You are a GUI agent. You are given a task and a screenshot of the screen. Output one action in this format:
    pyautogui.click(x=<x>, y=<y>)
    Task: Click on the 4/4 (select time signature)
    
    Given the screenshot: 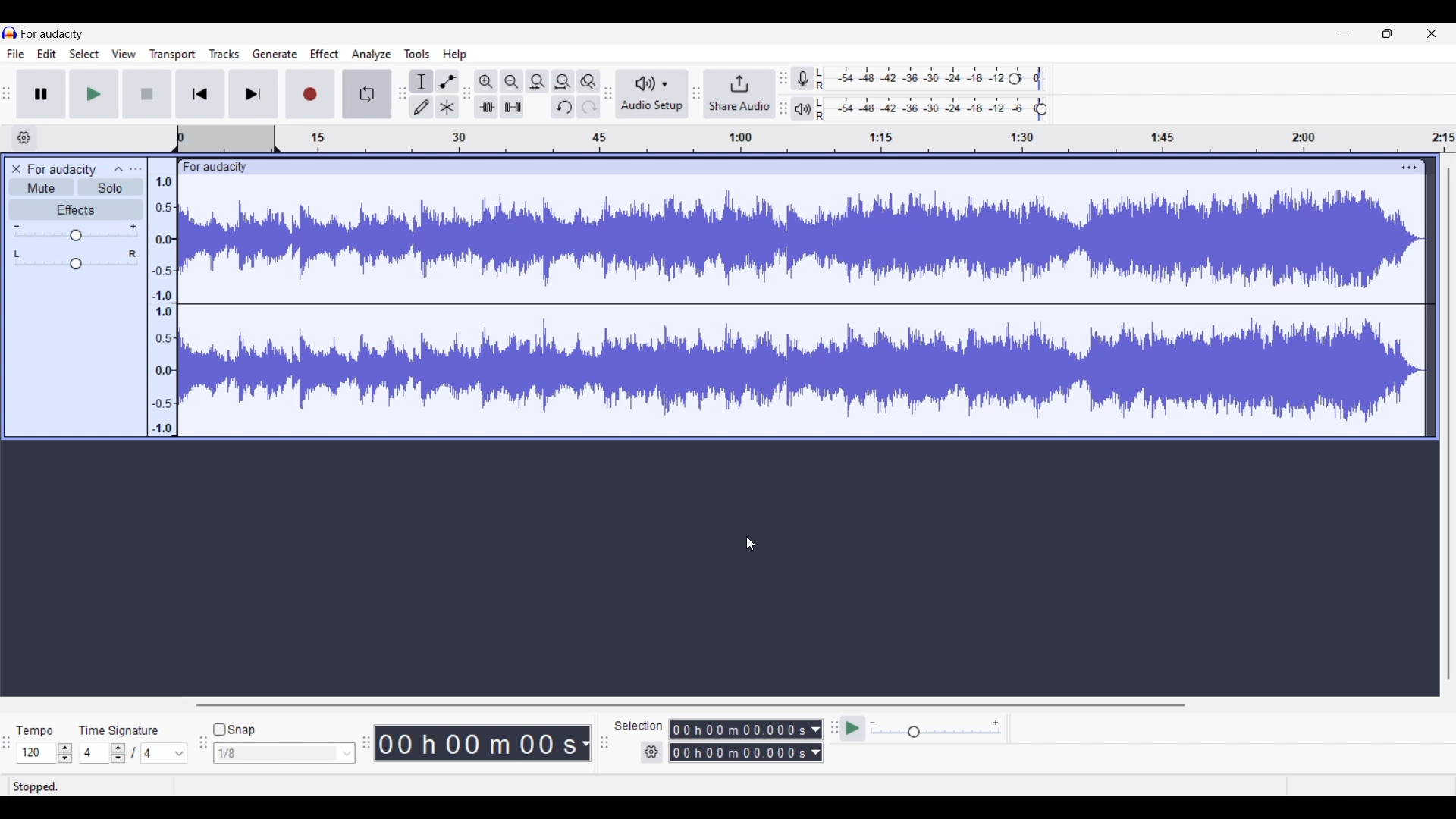 What is the action you would take?
    pyautogui.click(x=133, y=753)
    